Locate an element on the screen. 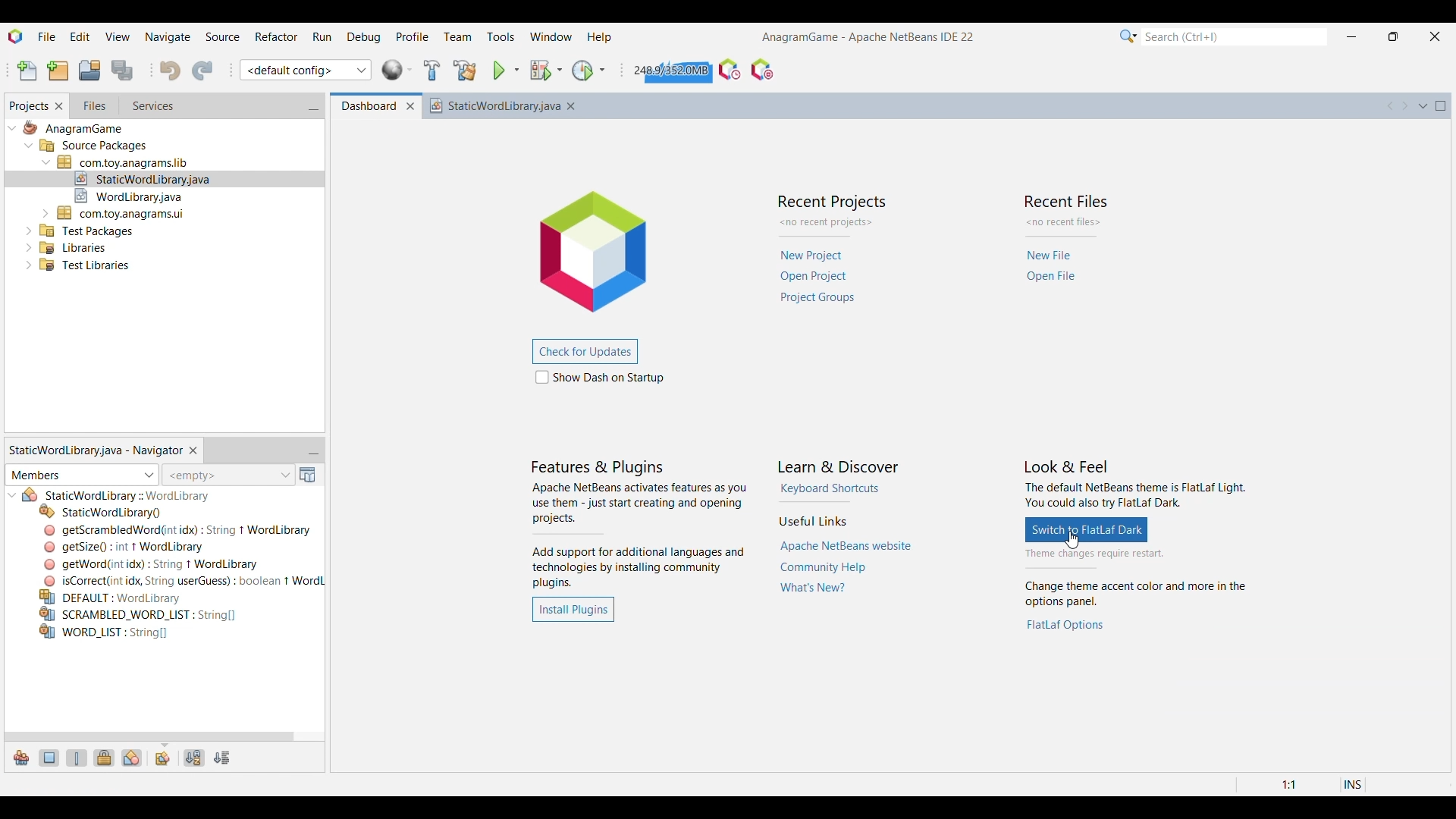 The width and height of the screenshot is (1456, 819). Show fields is located at coordinates (50, 758).